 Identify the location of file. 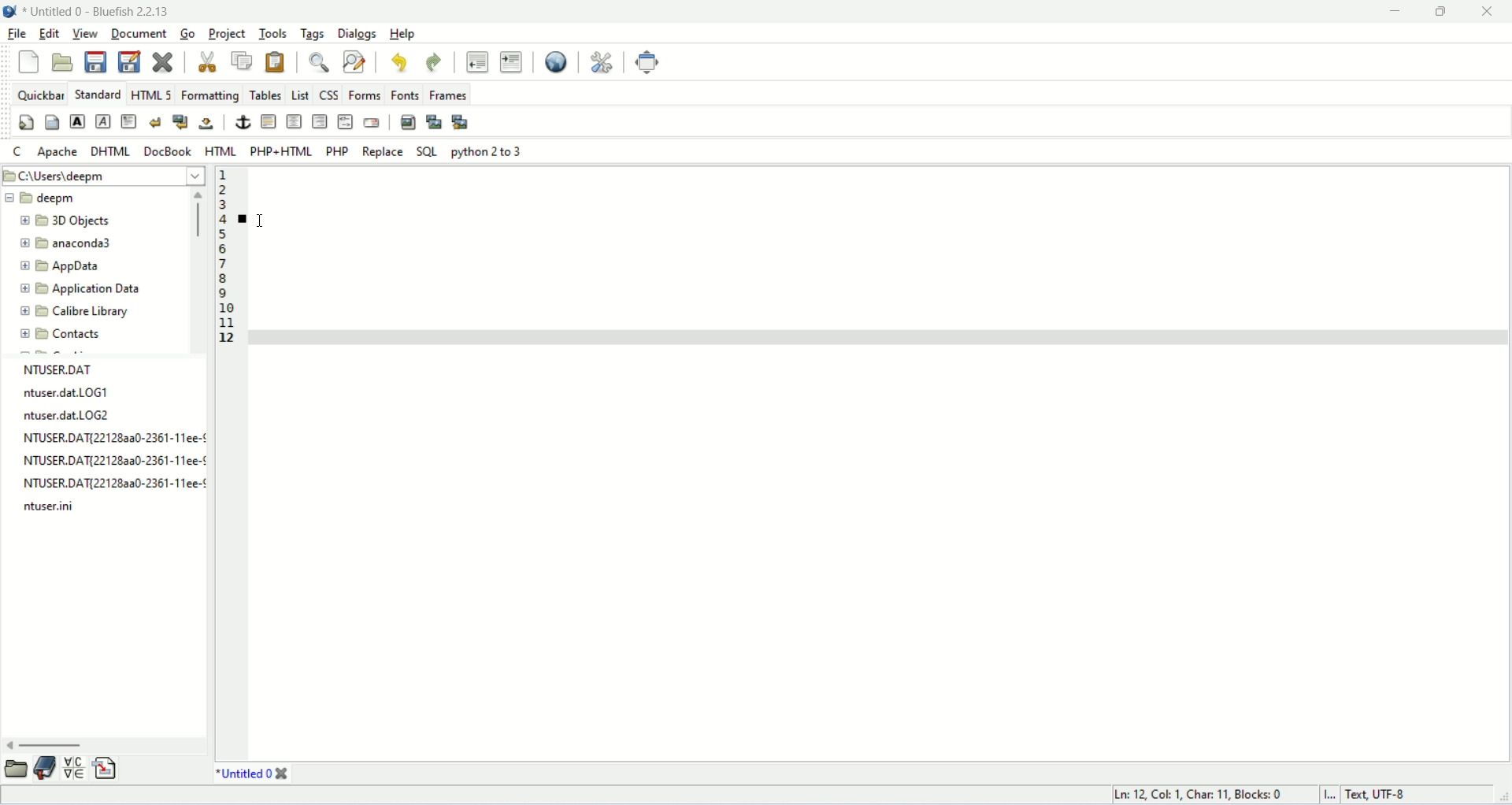
(17, 34).